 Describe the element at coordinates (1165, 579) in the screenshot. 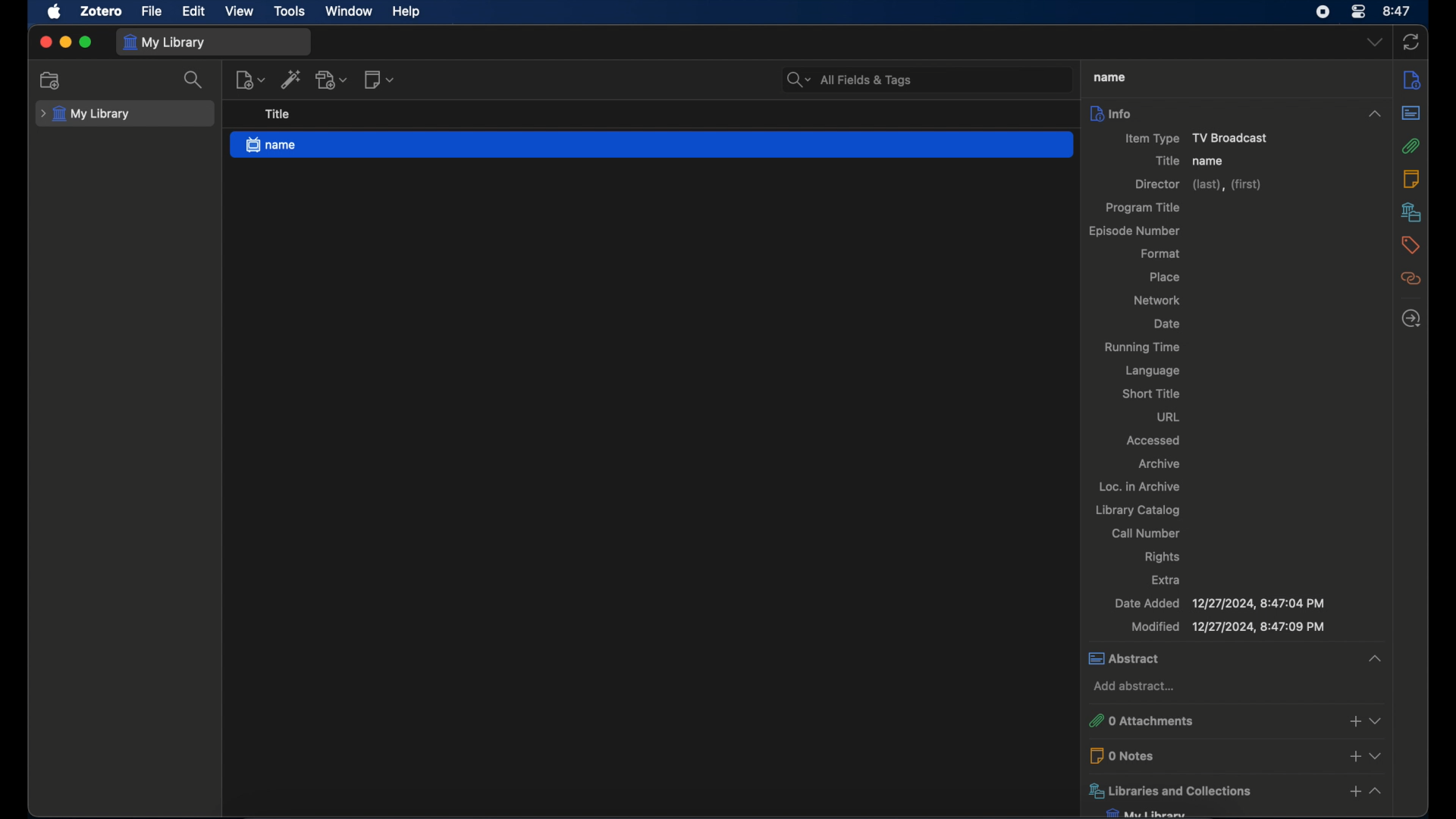

I see `extra` at that location.